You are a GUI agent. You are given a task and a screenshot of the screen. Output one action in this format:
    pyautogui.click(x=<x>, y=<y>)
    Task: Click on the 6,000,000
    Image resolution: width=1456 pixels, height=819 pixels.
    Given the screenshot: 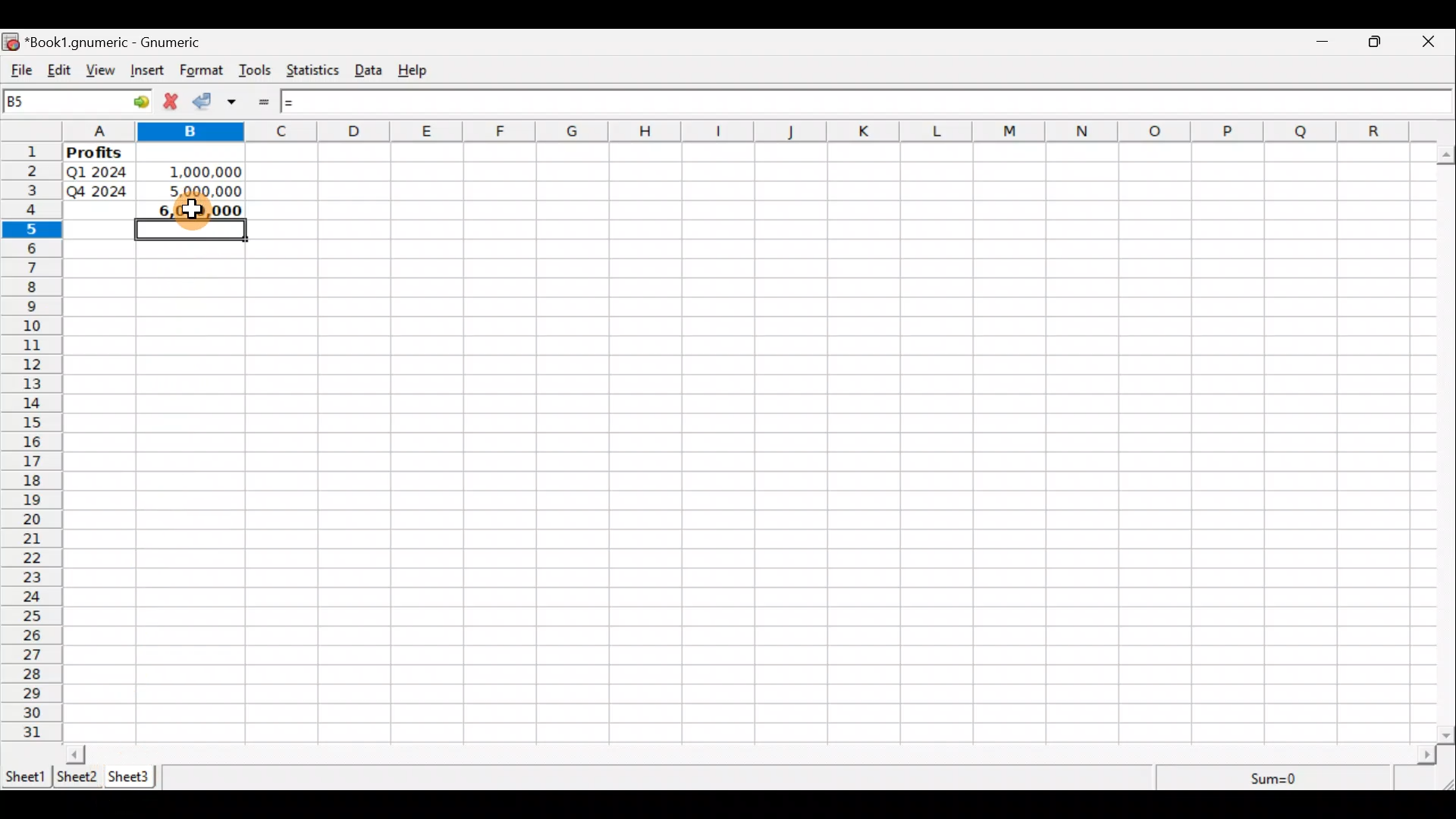 What is the action you would take?
    pyautogui.click(x=191, y=213)
    